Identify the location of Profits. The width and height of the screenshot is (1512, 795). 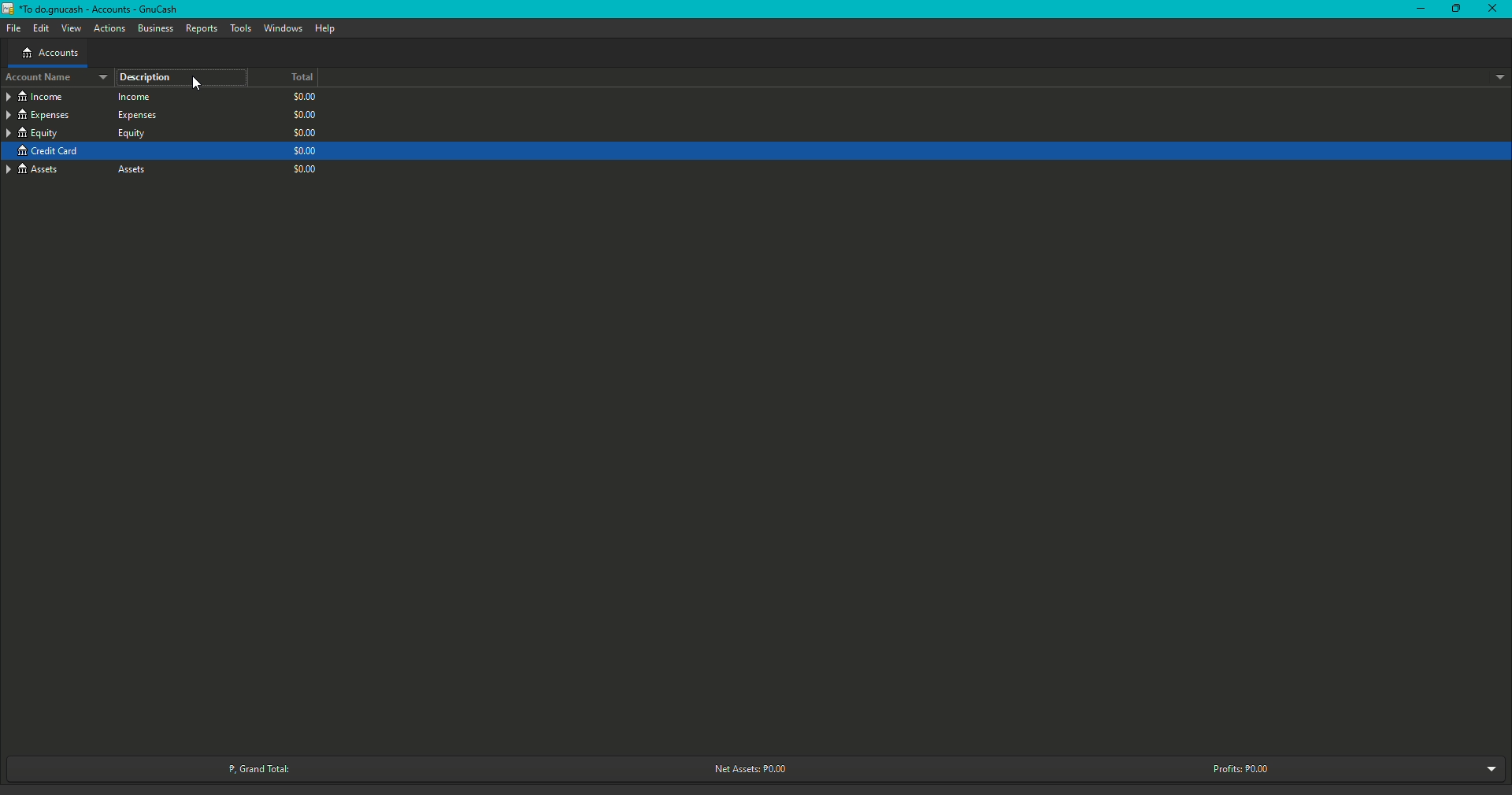
(1233, 767).